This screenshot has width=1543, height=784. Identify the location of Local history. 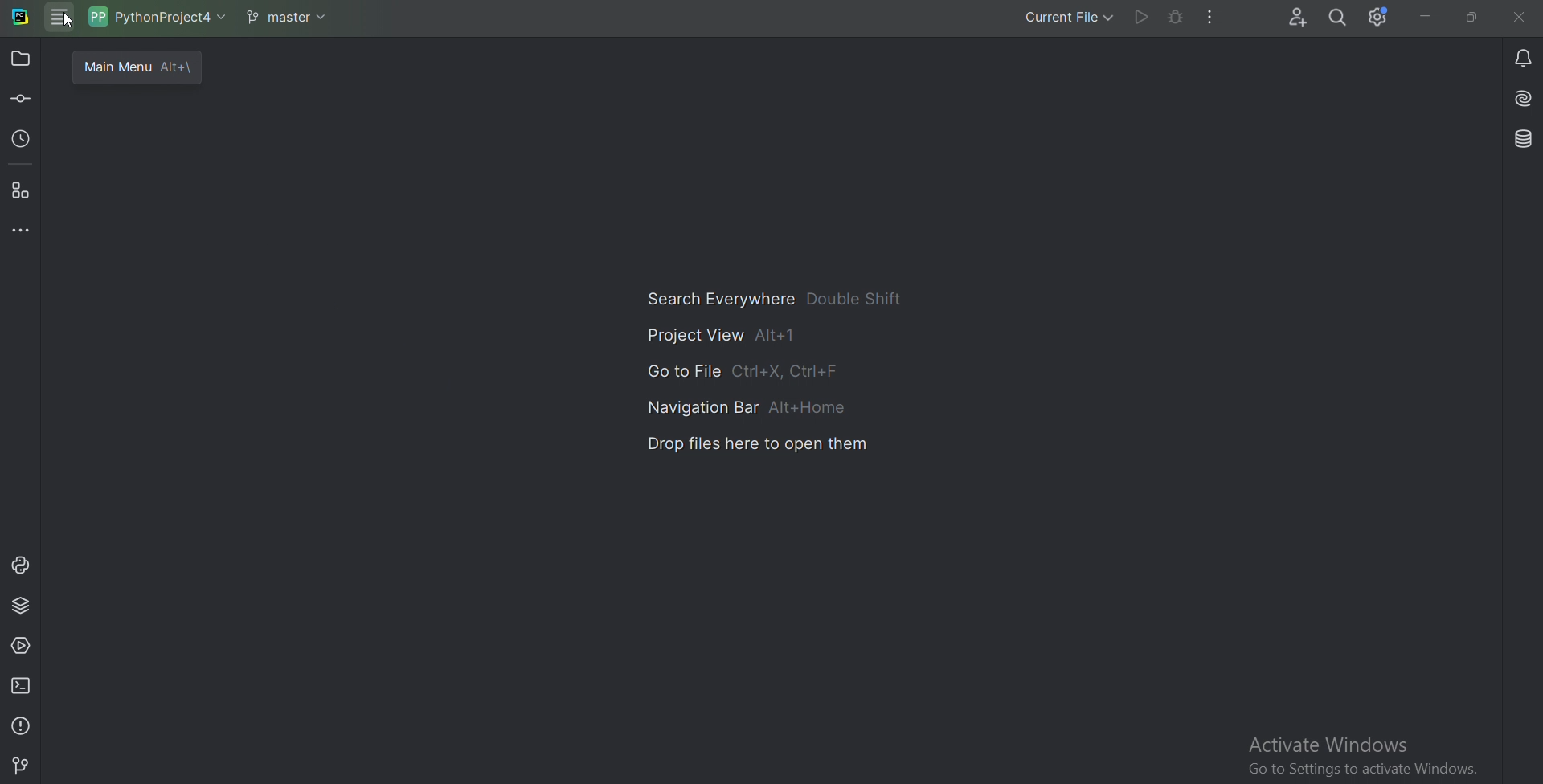
(23, 142).